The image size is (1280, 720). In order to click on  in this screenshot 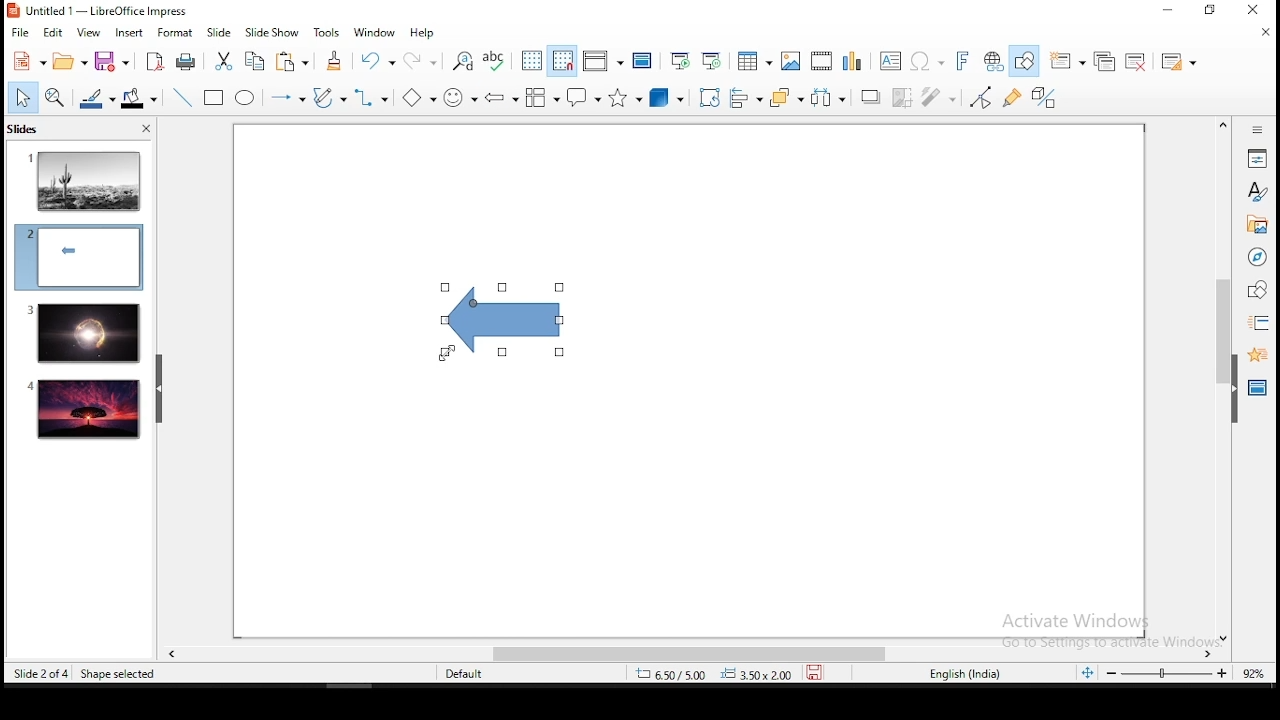, I will do `click(1255, 129)`.